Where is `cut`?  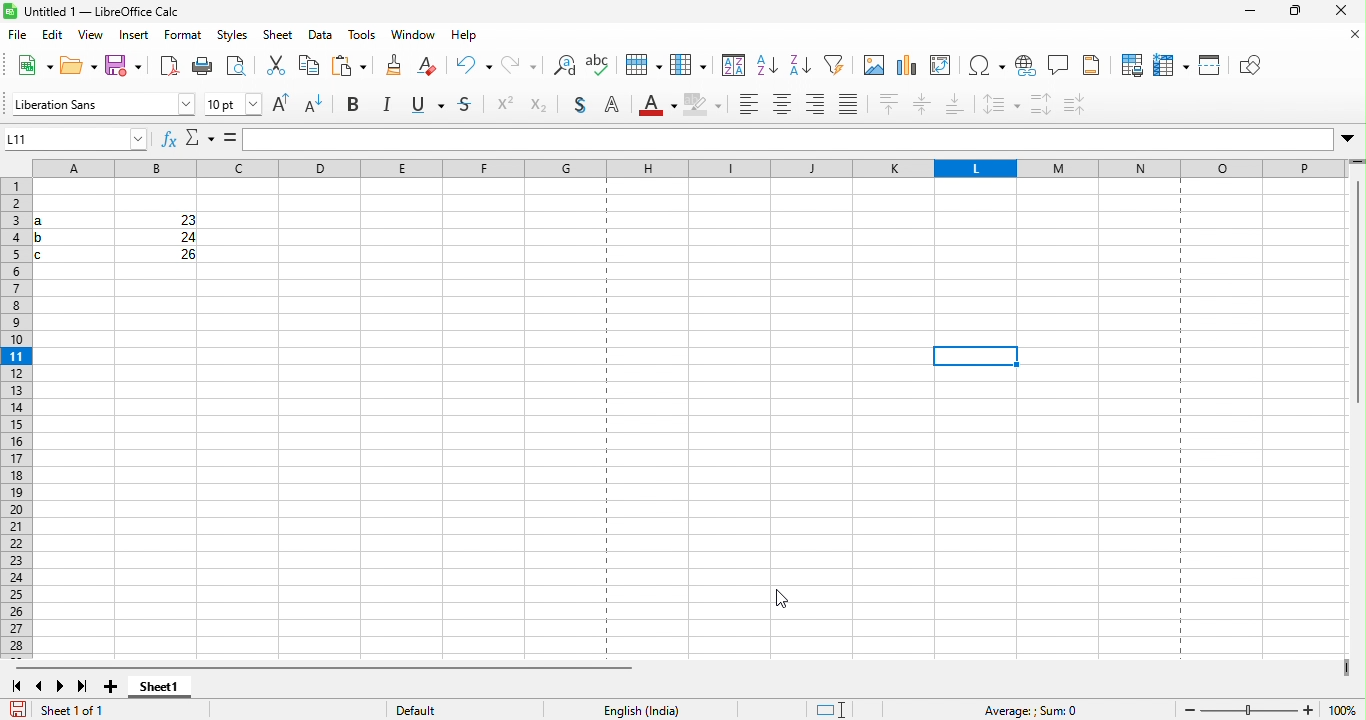
cut is located at coordinates (240, 68).